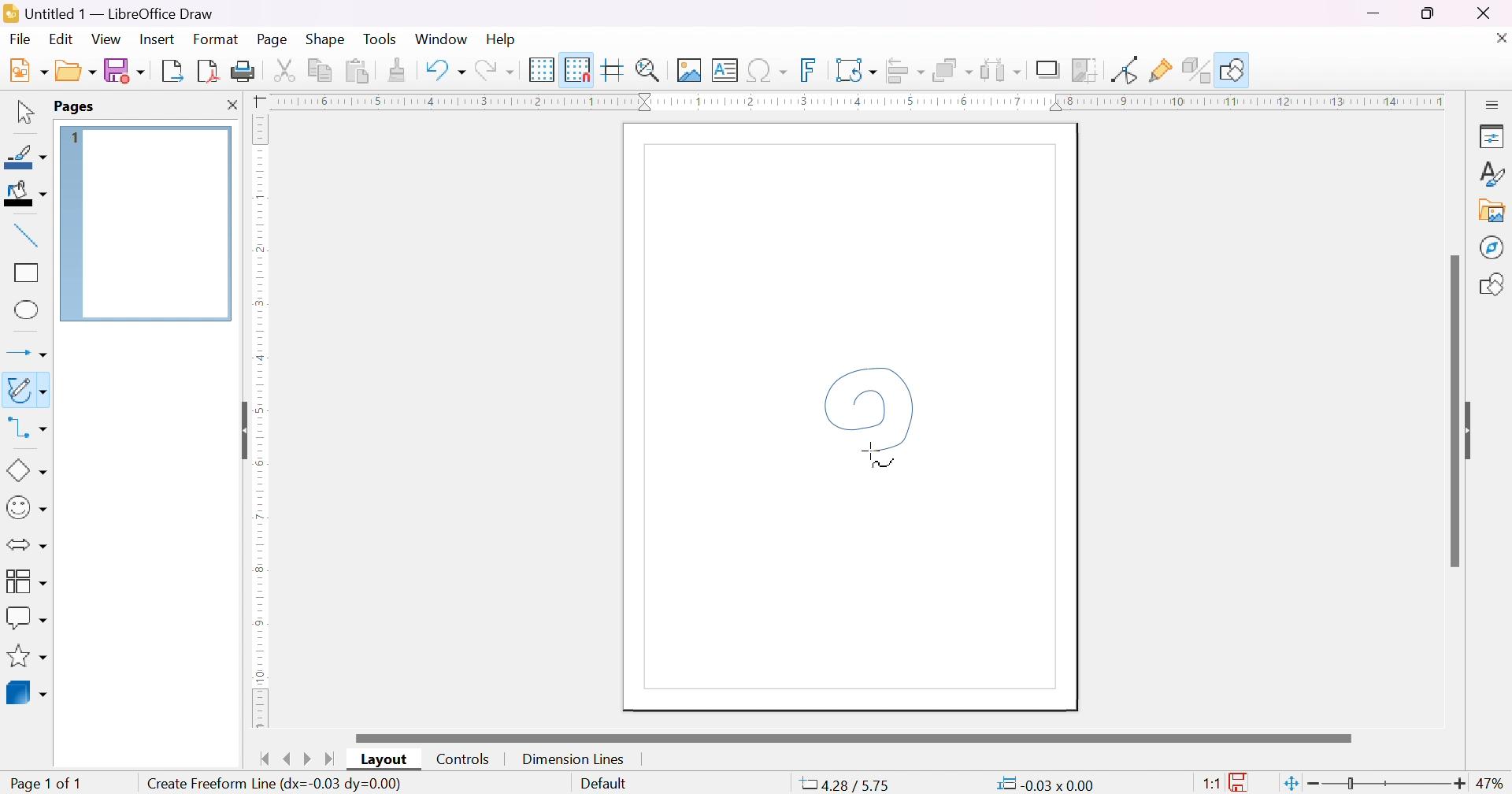 The height and width of the screenshot is (794, 1512). Describe the element at coordinates (440, 39) in the screenshot. I see `window` at that location.